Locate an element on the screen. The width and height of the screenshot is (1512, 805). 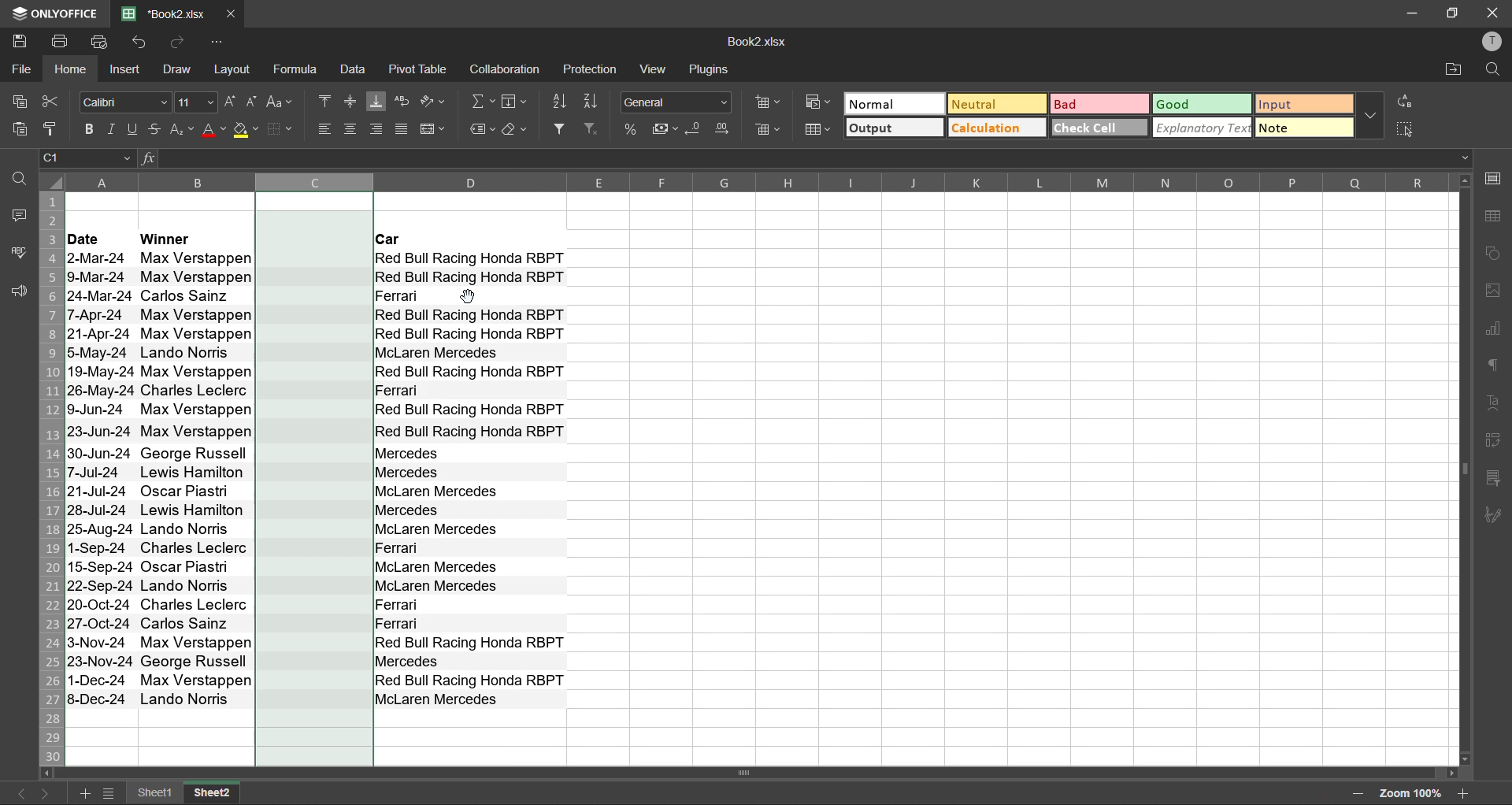
slicer is located at coordinates (1496, 478).